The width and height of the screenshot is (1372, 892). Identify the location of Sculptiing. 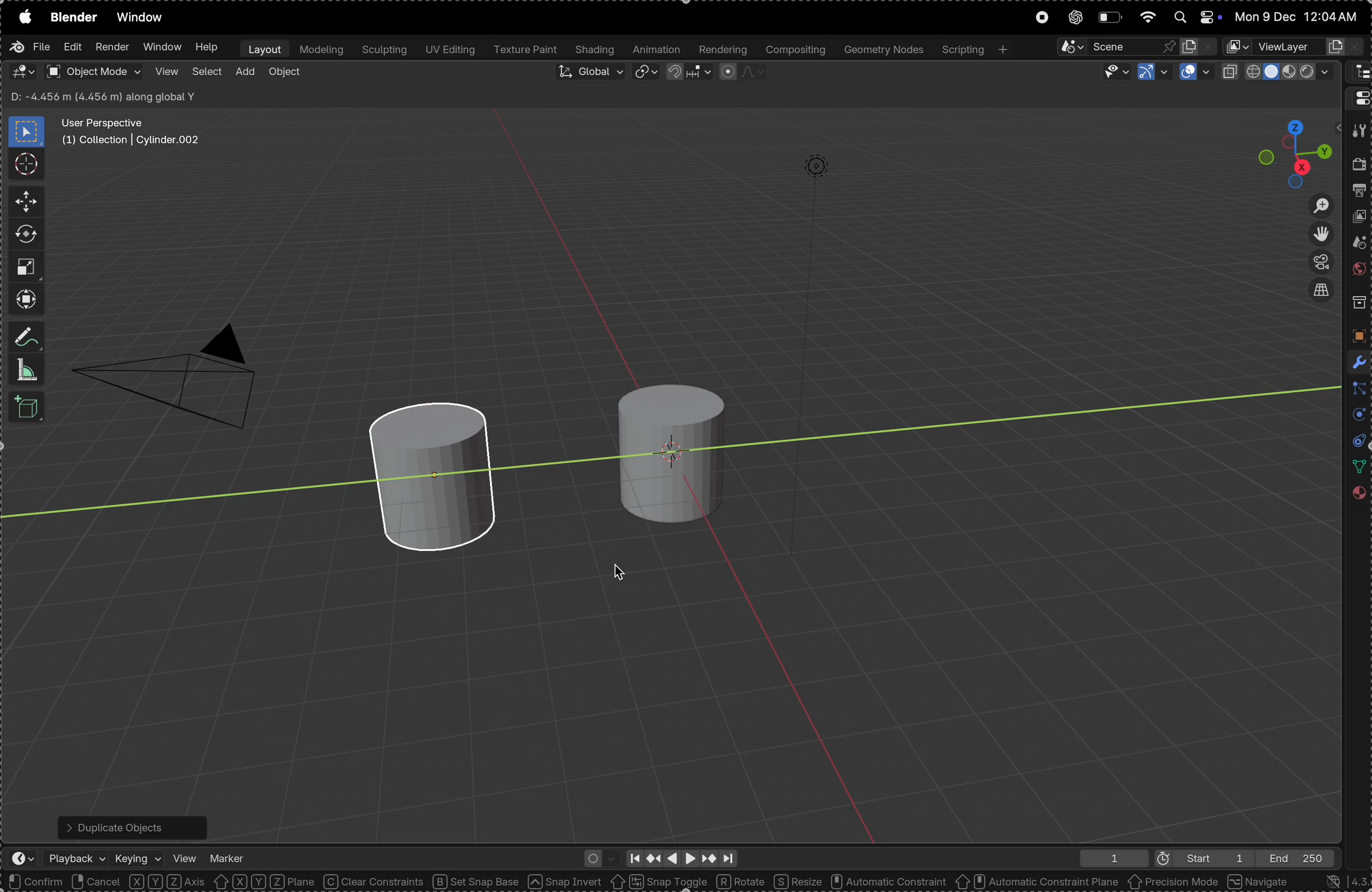
(383, 50).